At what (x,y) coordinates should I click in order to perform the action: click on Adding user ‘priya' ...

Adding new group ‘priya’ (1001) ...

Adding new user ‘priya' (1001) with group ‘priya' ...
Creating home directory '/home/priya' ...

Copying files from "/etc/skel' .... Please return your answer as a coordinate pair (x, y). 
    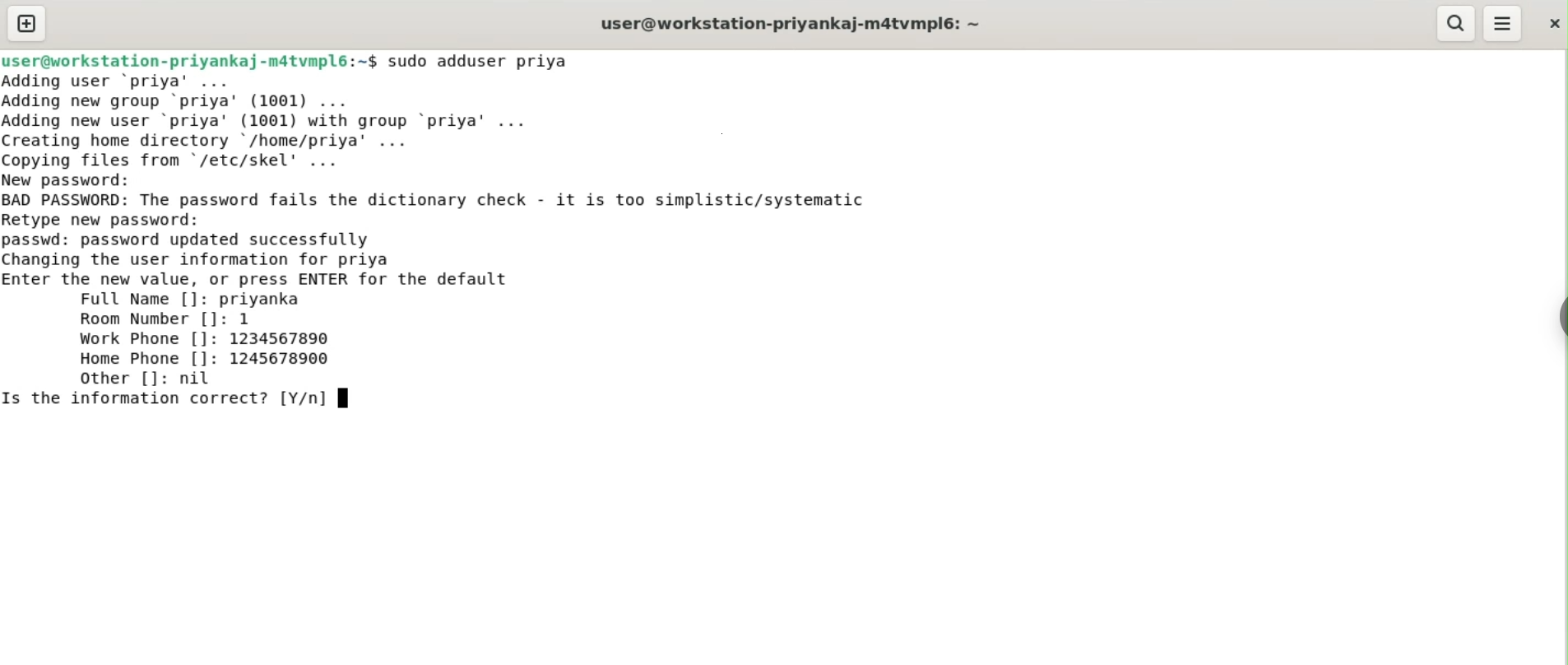
    Looking at the image, I should click on (274, 121).